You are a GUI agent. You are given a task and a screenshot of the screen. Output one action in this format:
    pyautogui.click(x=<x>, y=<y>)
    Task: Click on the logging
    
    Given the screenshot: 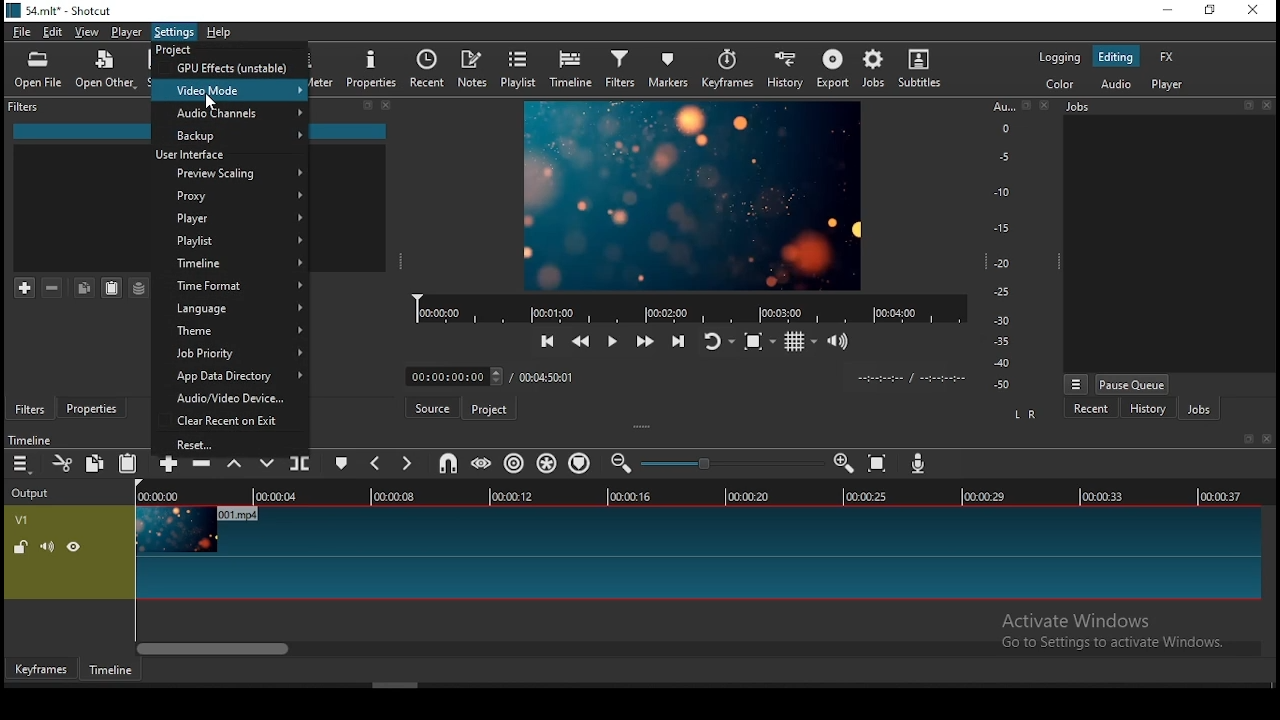 What is the action you would take?
    pyautogui.click(x=1059, y=56)
    